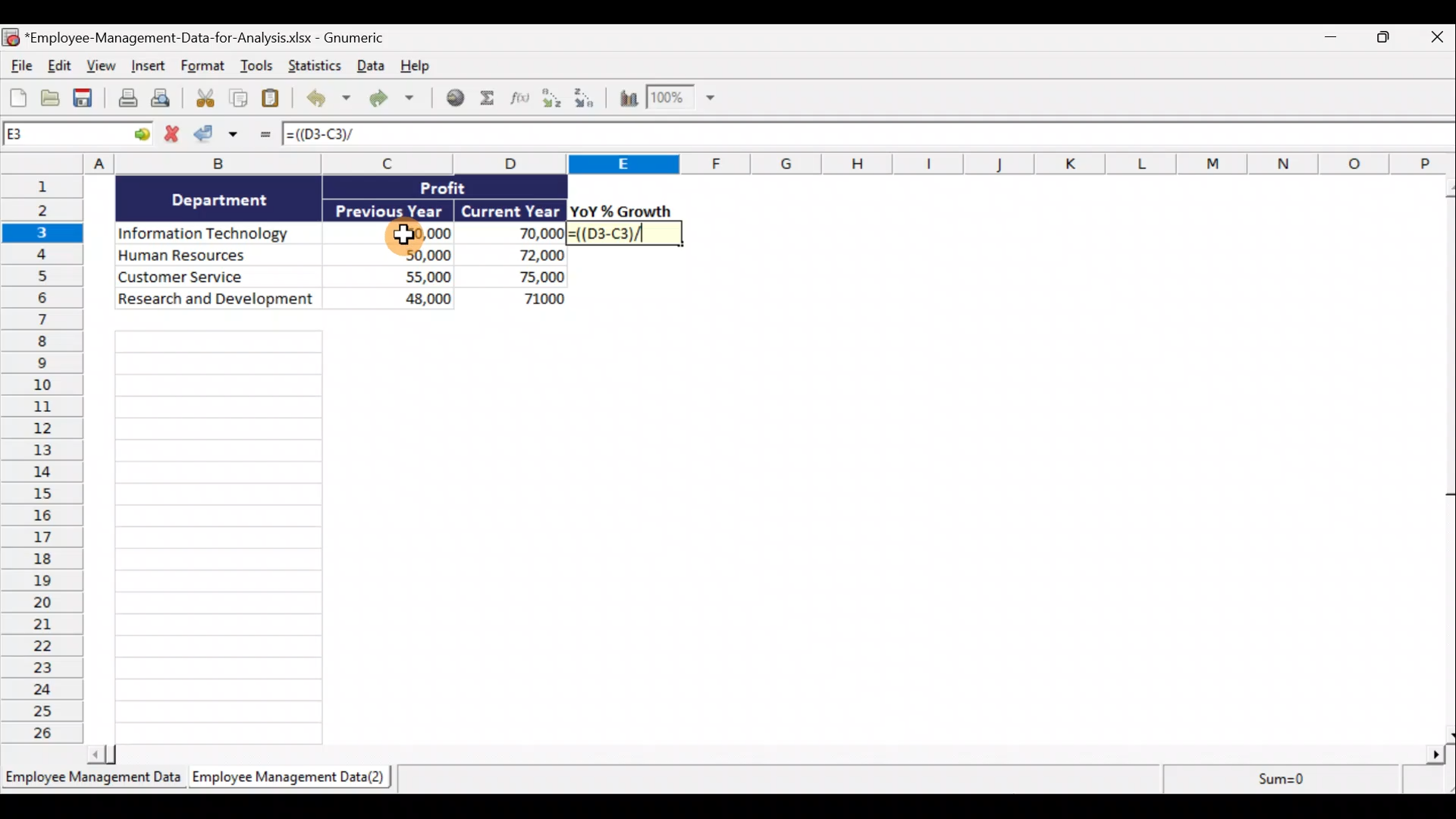 This screenshot has height=819, width=1456. I want to click on Copy selection, so click(239, 99).